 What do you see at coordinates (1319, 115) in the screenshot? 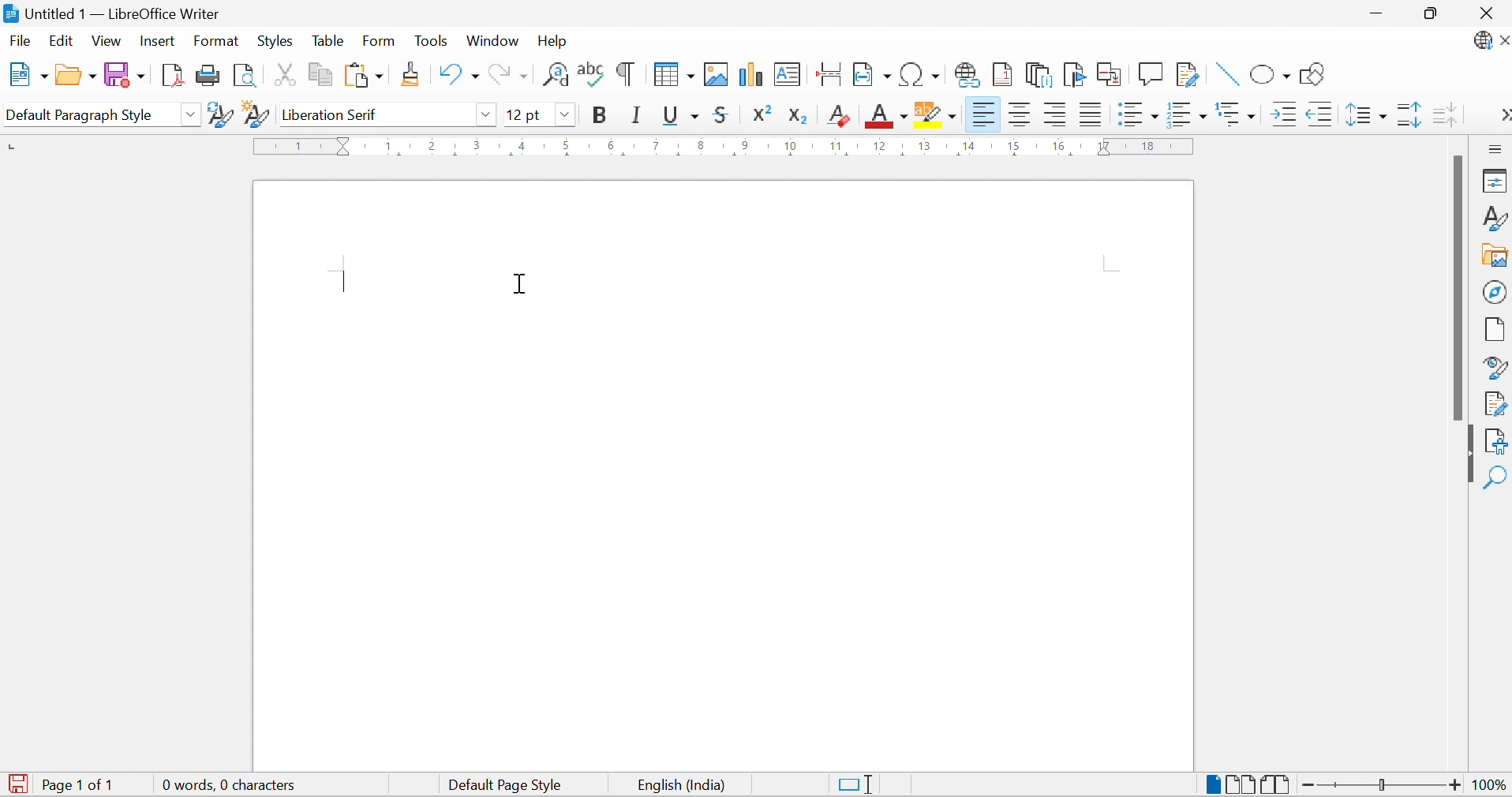
I see `Decrease Indent` at bounding box center [1319, 115].